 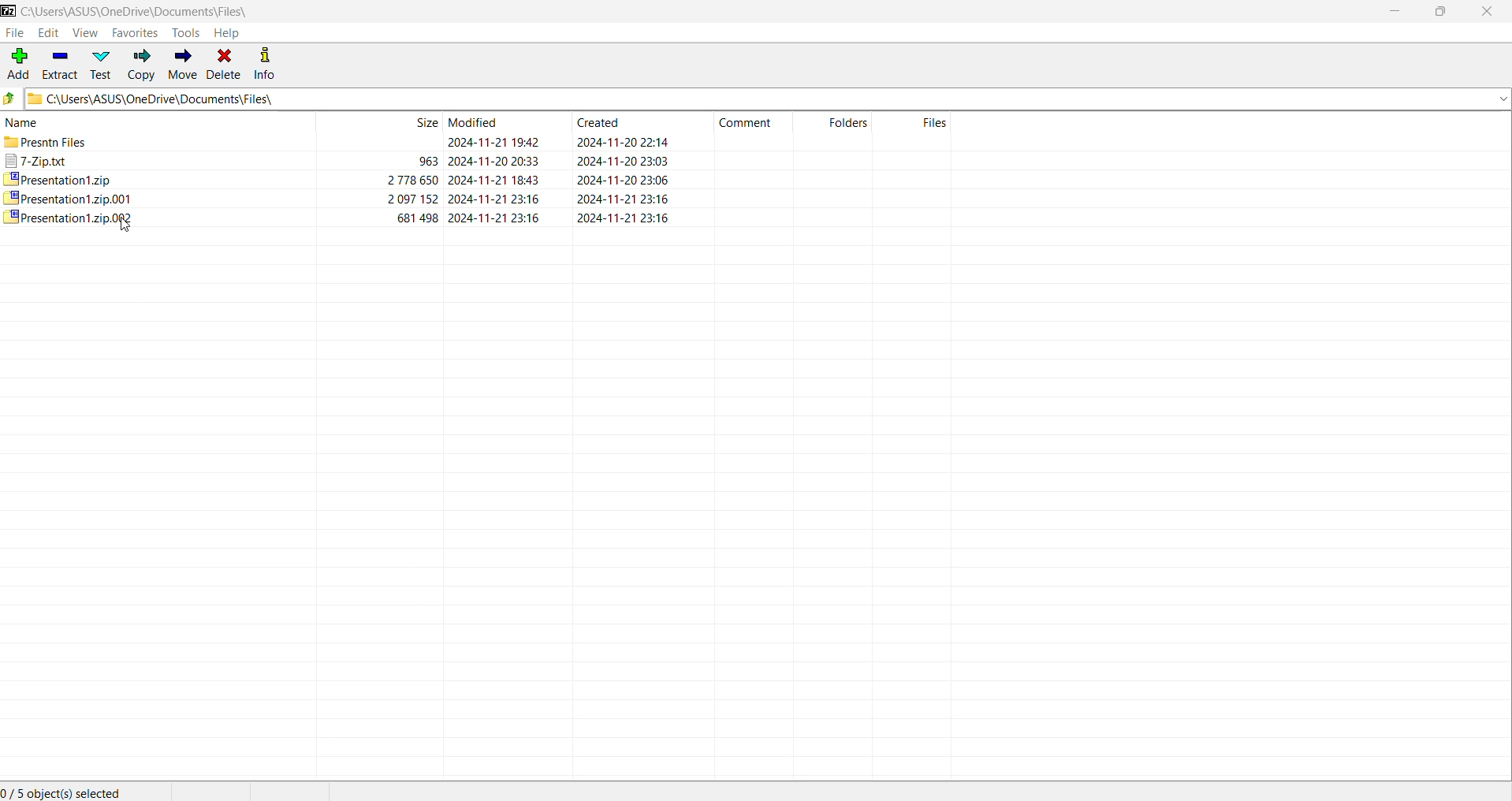 I want to click on  7-Zip.txt, so click(x=36, y=162).